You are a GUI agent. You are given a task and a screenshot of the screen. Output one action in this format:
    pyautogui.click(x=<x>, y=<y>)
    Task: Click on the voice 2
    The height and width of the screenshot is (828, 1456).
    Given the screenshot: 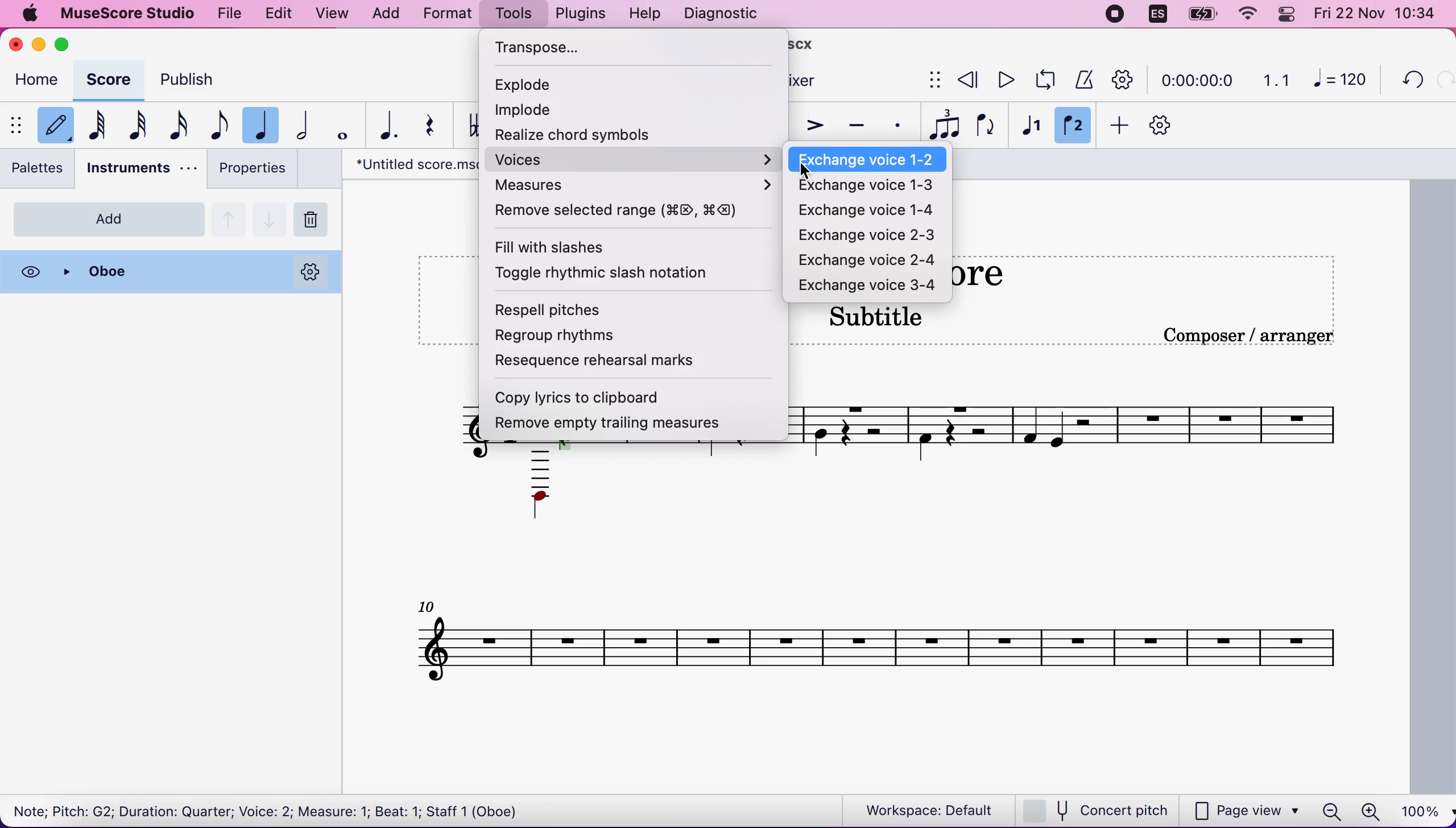 What is the action you would take?
    pyautogui.click(x=1077, y=125)
    